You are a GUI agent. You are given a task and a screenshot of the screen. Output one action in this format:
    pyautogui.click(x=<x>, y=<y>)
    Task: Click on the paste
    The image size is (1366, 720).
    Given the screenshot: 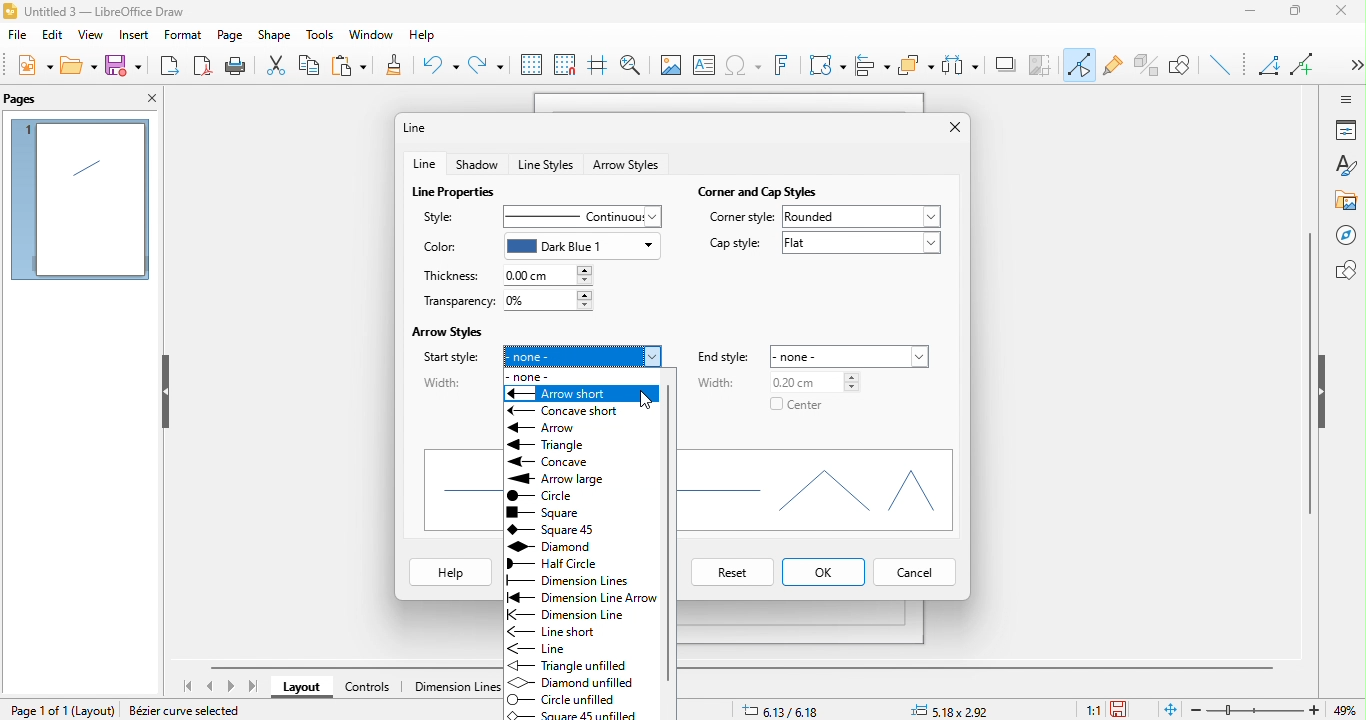 What is the action you would take?
    pyautogui.click(x=355, y=66)
    